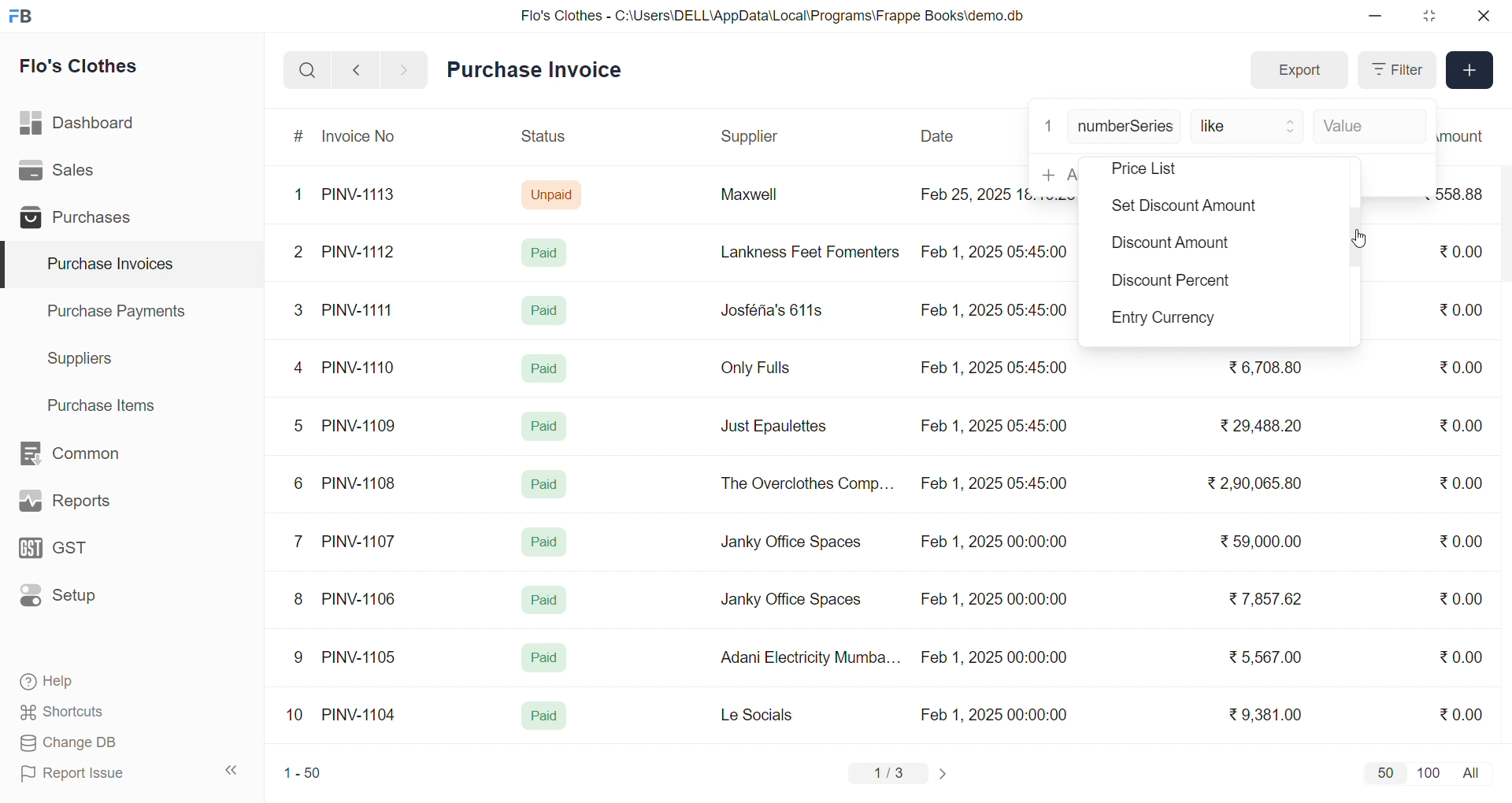 This screenshot has height=803, width=1512. Describe the element at coordinates (1426, 772) in the screenshot. I see `100` at that location.